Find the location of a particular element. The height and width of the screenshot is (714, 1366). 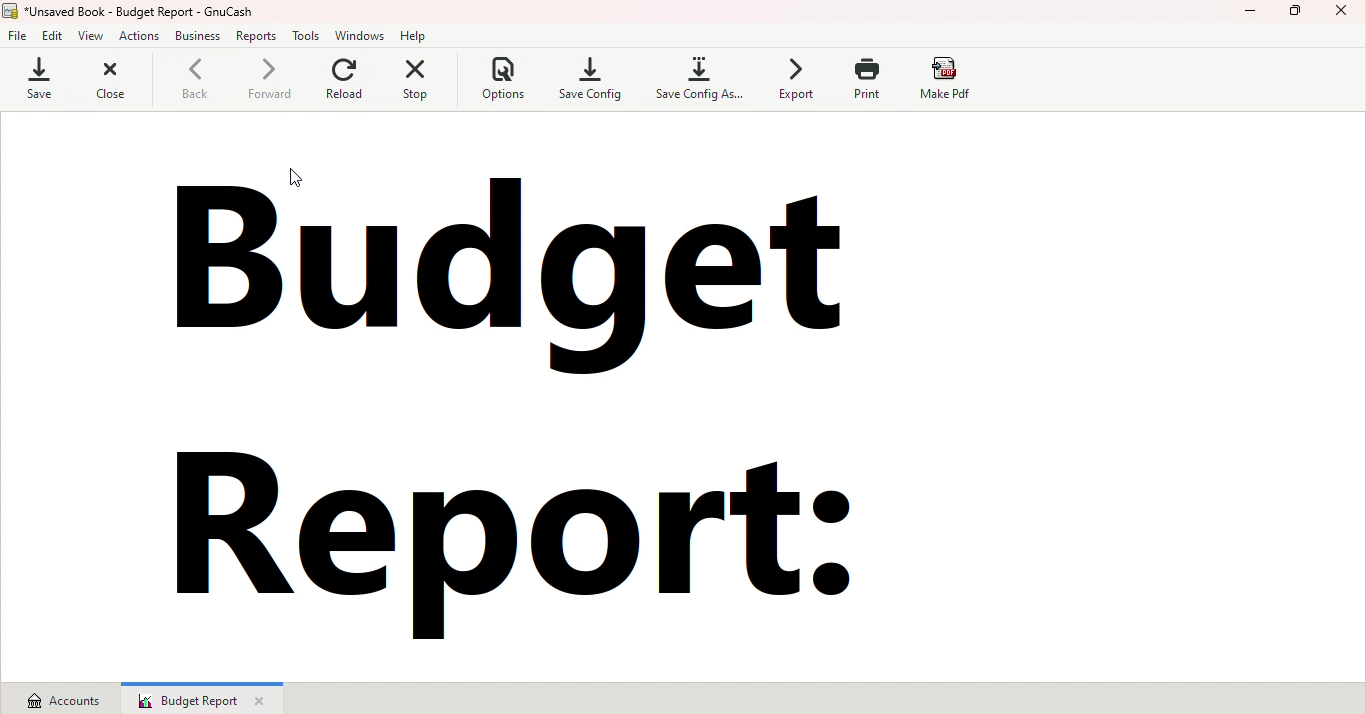

Back is located at coordinates (182, 81).